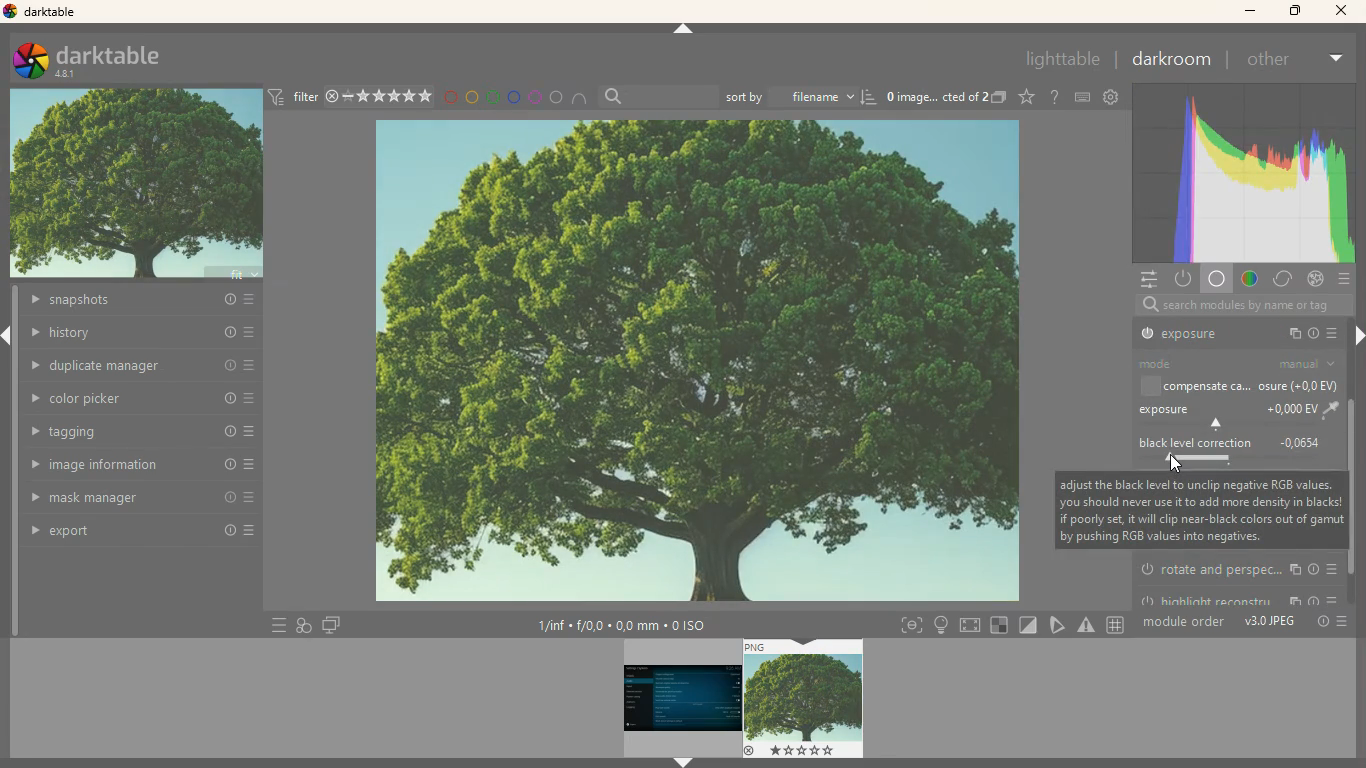 This screenshot has width=1366, height=768. What do you see at coordinates (1000, 97) in the screenshot?
I see `images` at bounding box center [1000, 97].